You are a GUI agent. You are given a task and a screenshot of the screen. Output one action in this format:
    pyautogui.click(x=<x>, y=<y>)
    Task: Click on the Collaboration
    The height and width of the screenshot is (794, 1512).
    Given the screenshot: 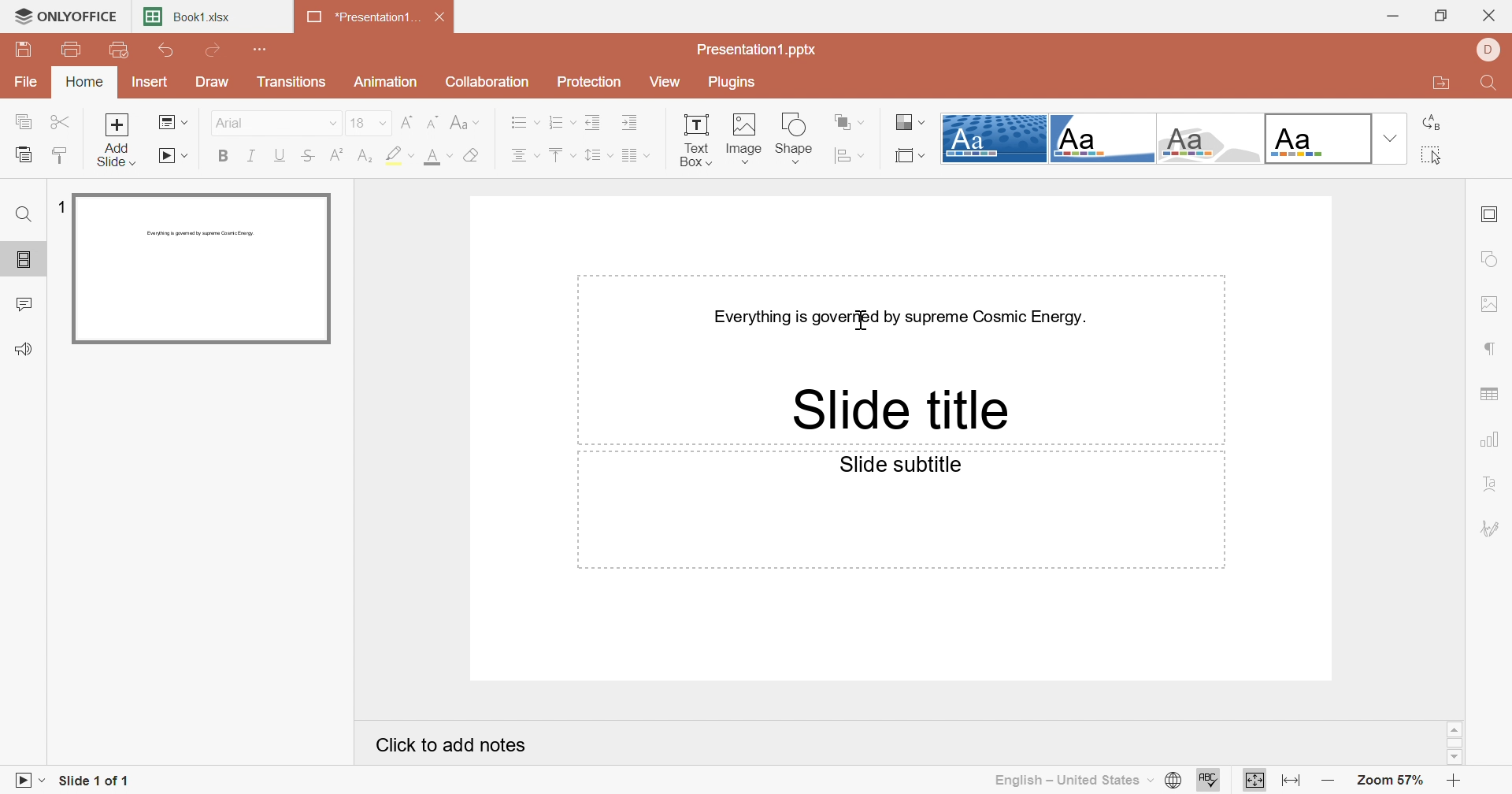 What is the action you would take?
    pyautogui.click(x=487, y=82)
    